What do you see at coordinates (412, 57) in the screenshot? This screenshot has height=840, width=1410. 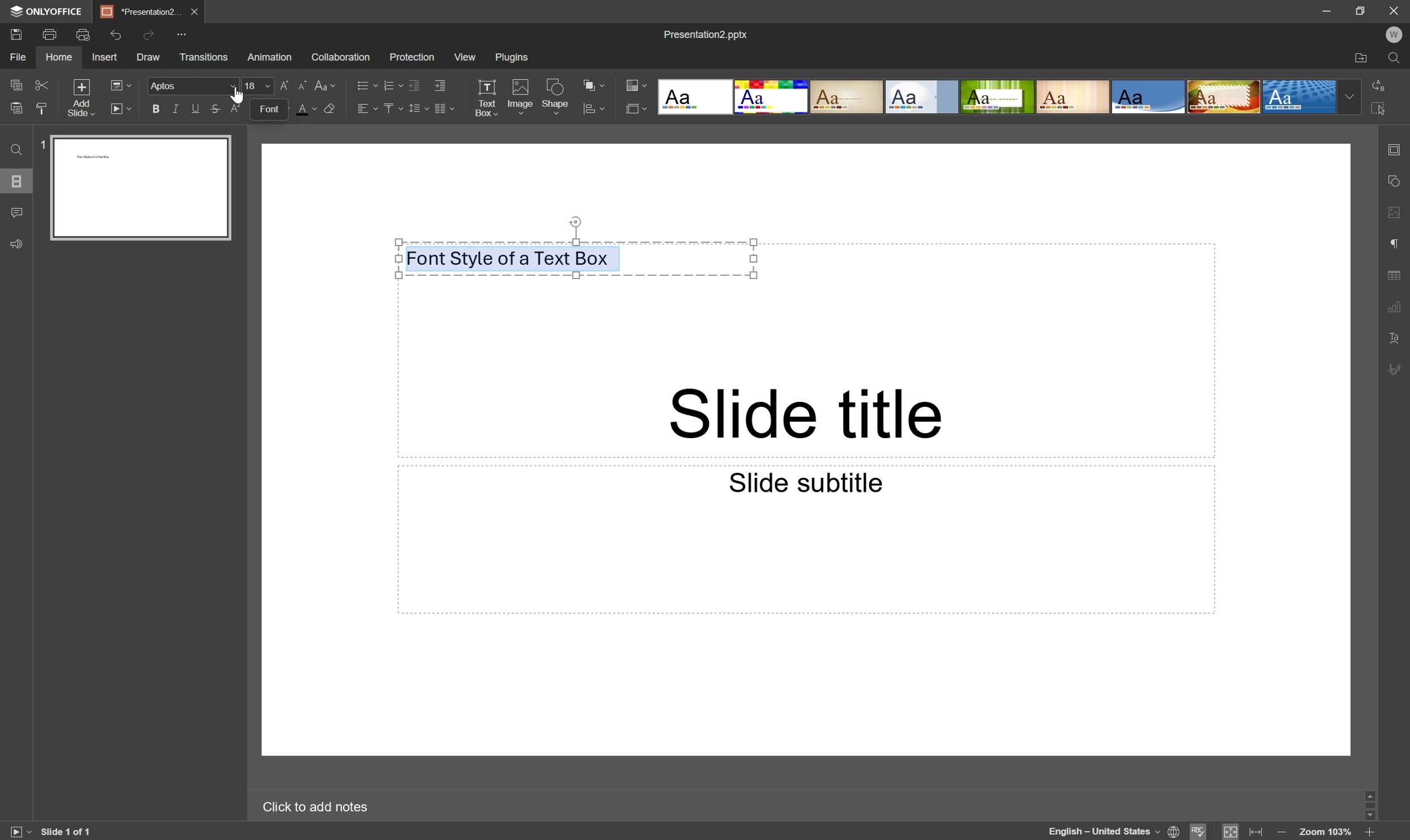 I see `Protection` at bounding box center [412, 57].